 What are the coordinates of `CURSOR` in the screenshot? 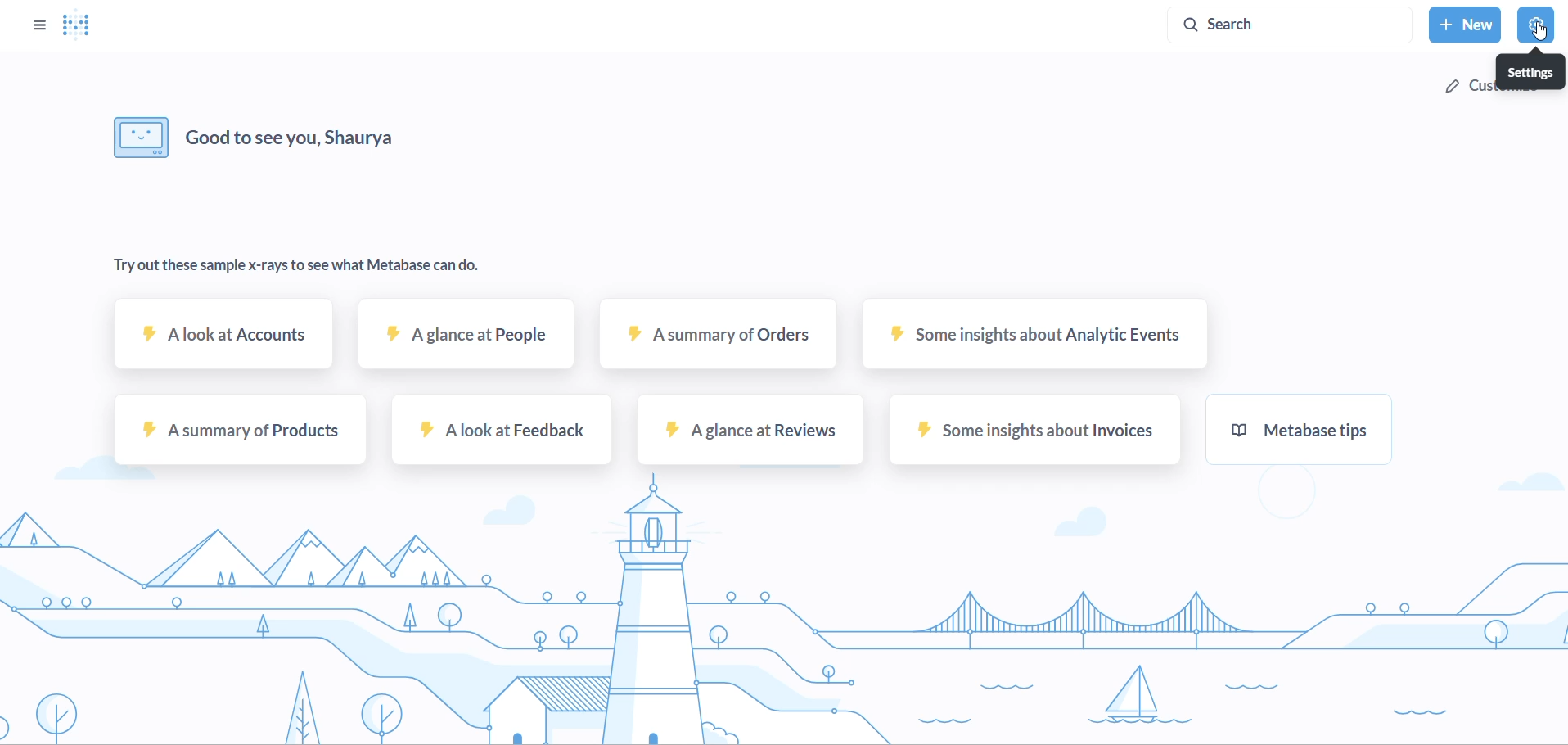 It's located at (1540, 36).